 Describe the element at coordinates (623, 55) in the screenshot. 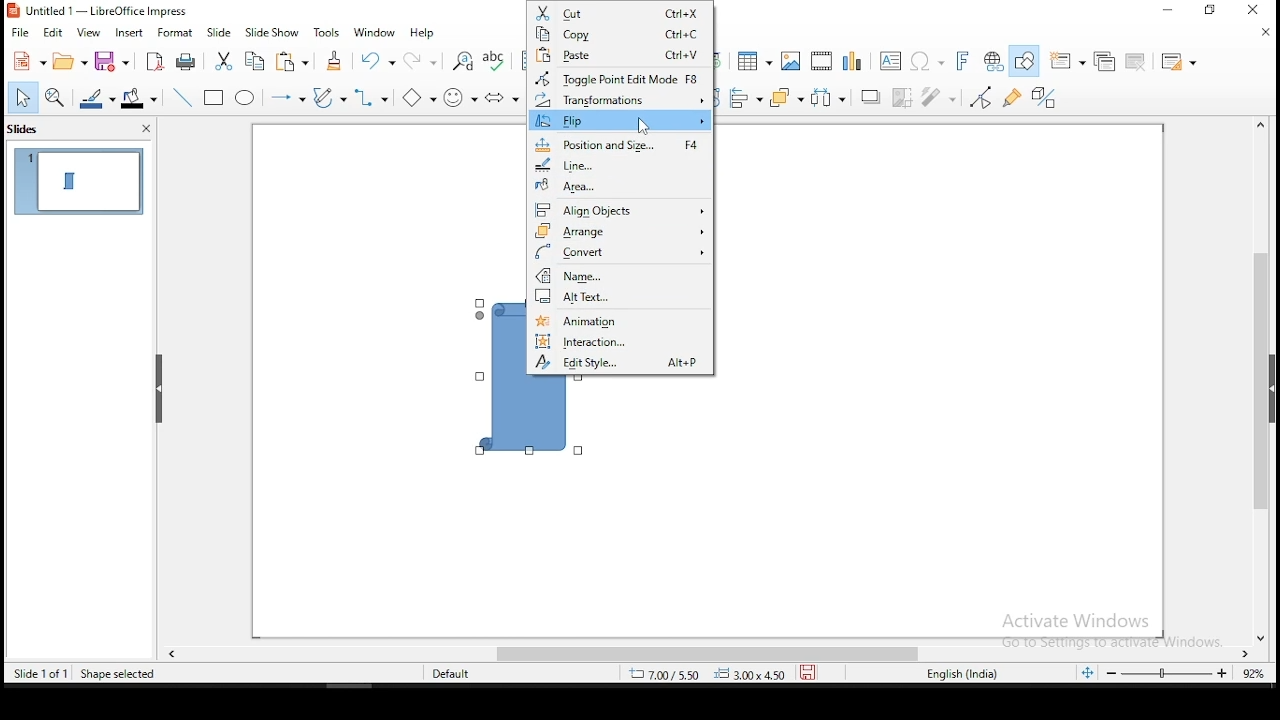

I see `paste` at that location.